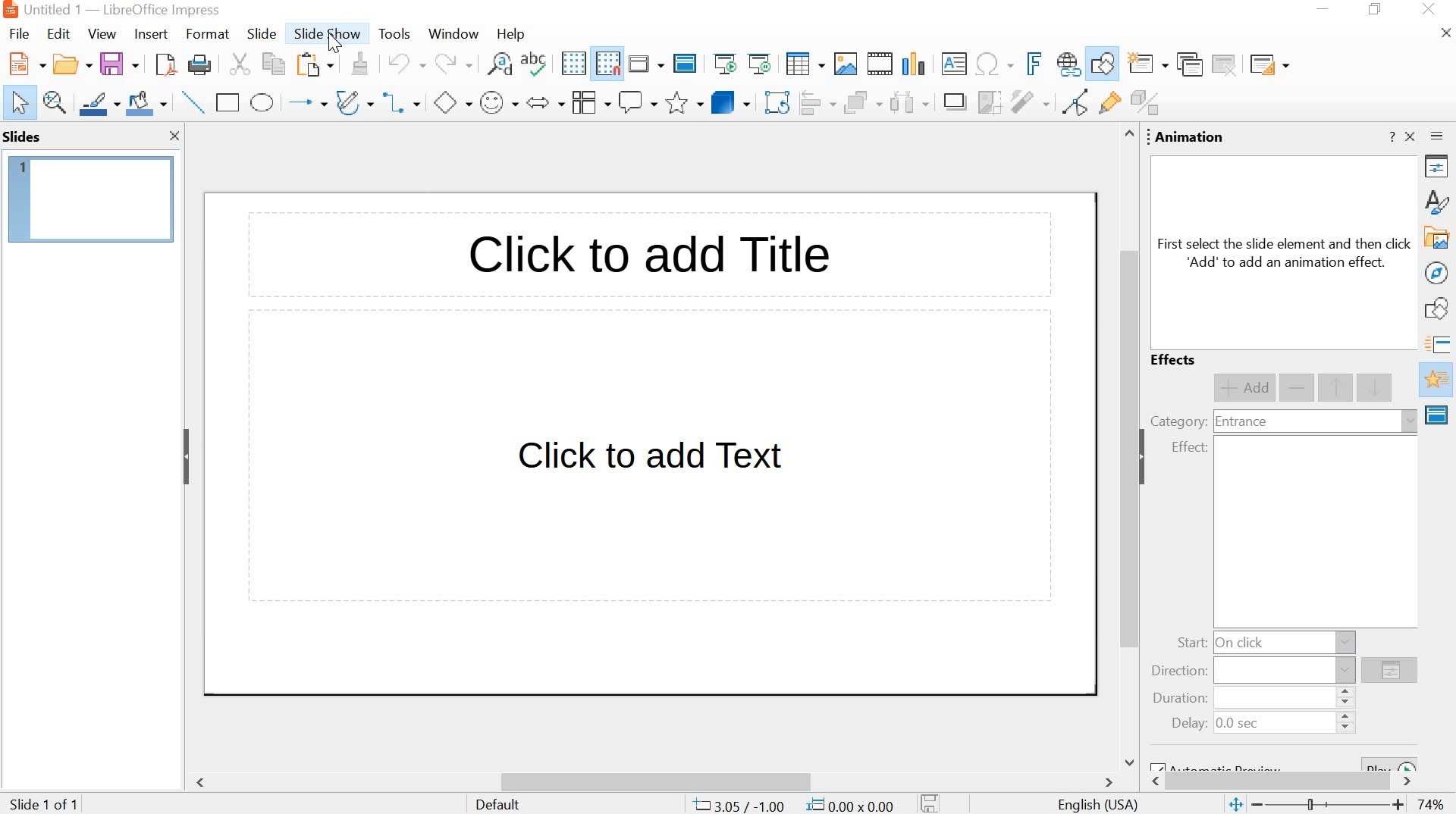  I want to click on redo, so click(451, 64).